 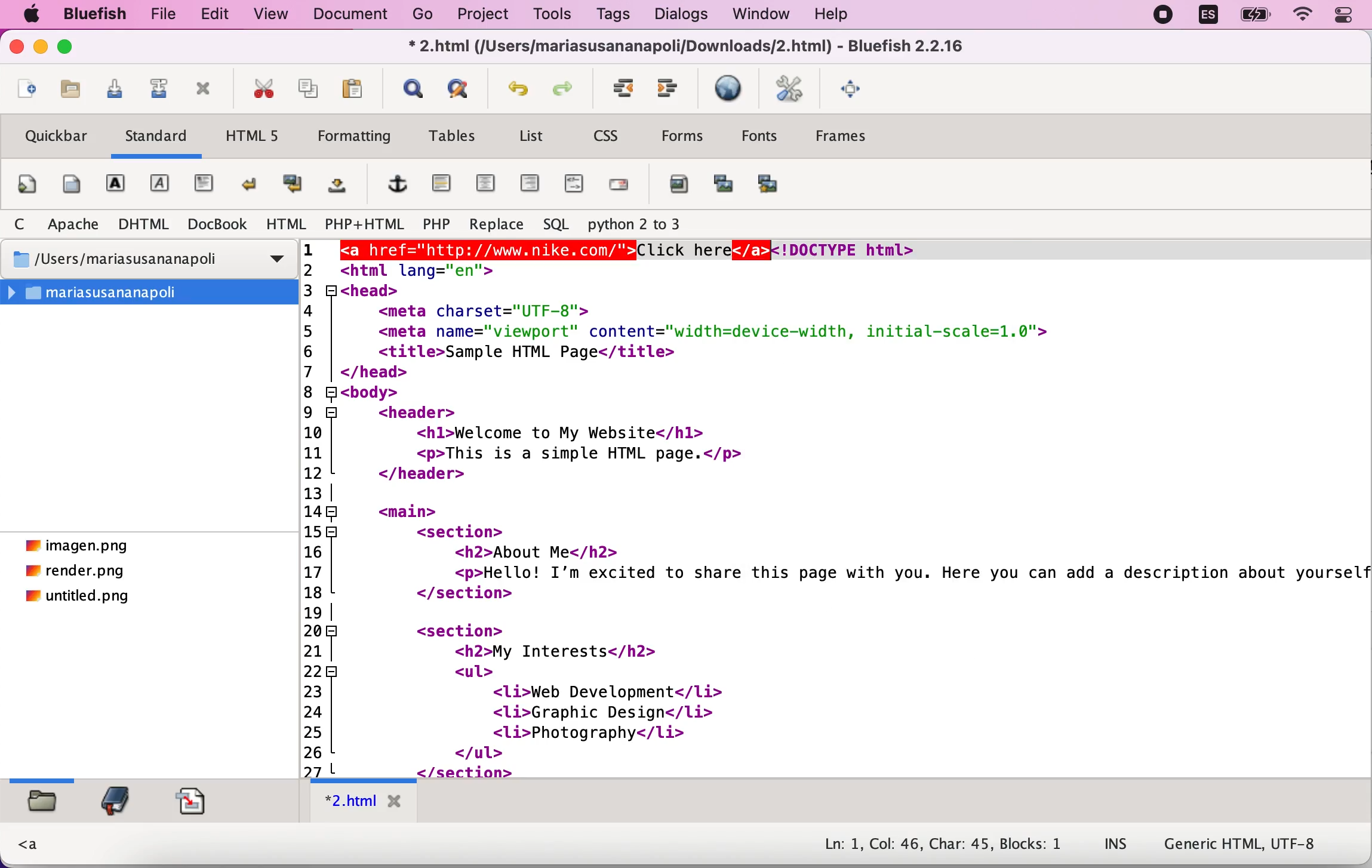 I want to click on tools, so click(x=556, y=13).